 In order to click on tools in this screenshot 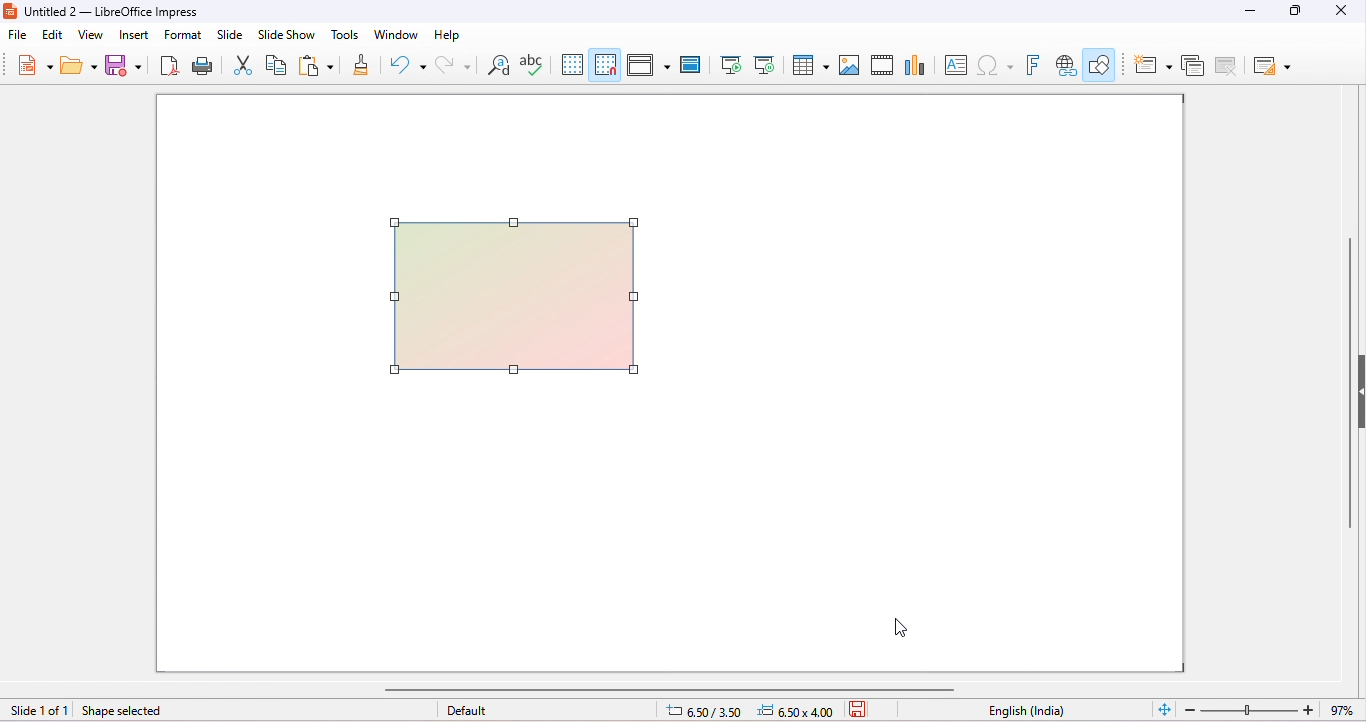, I will do `click(344, 34)`.